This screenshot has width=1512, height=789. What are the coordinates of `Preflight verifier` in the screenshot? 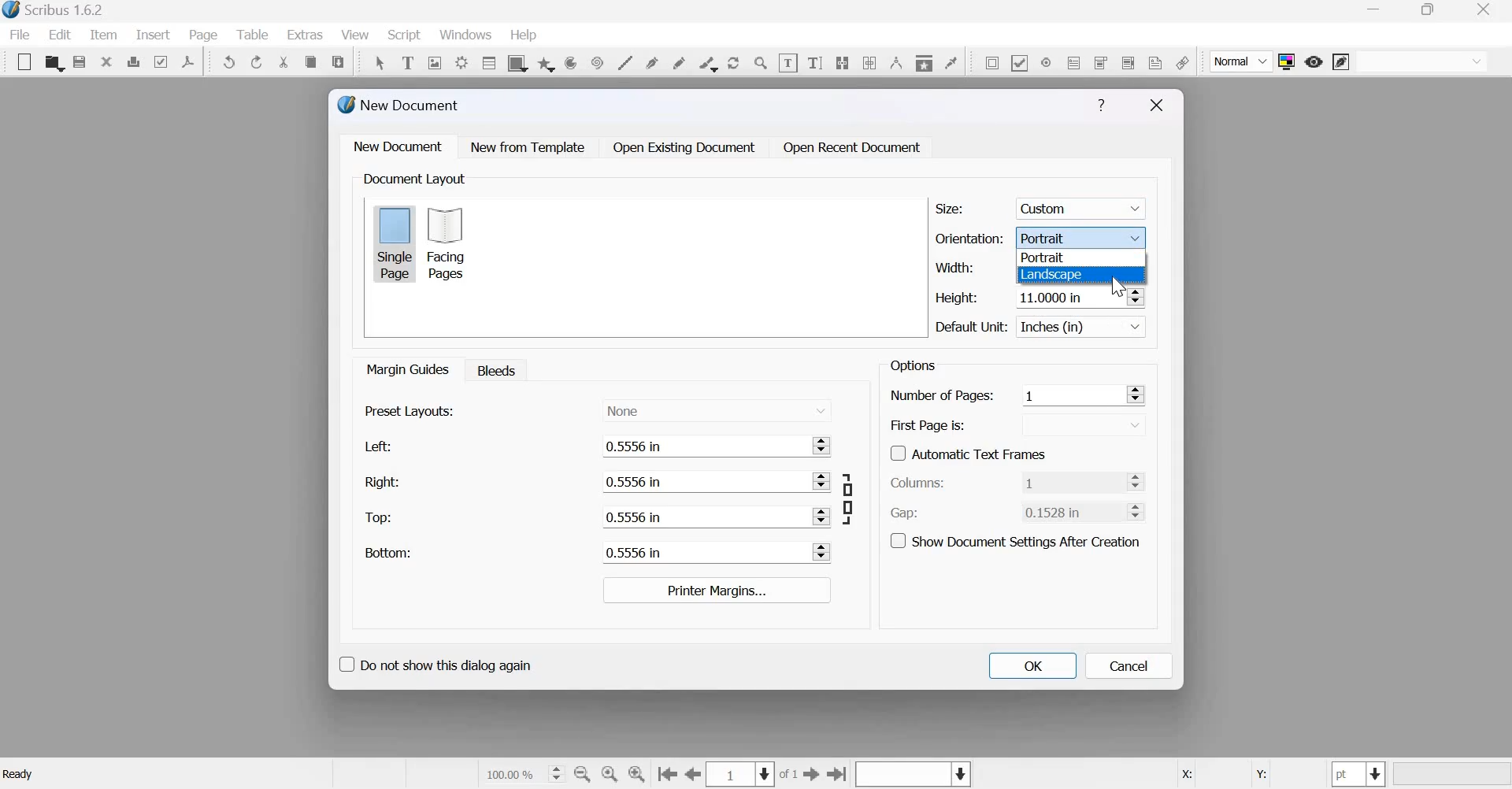 It's located at (160, 61).